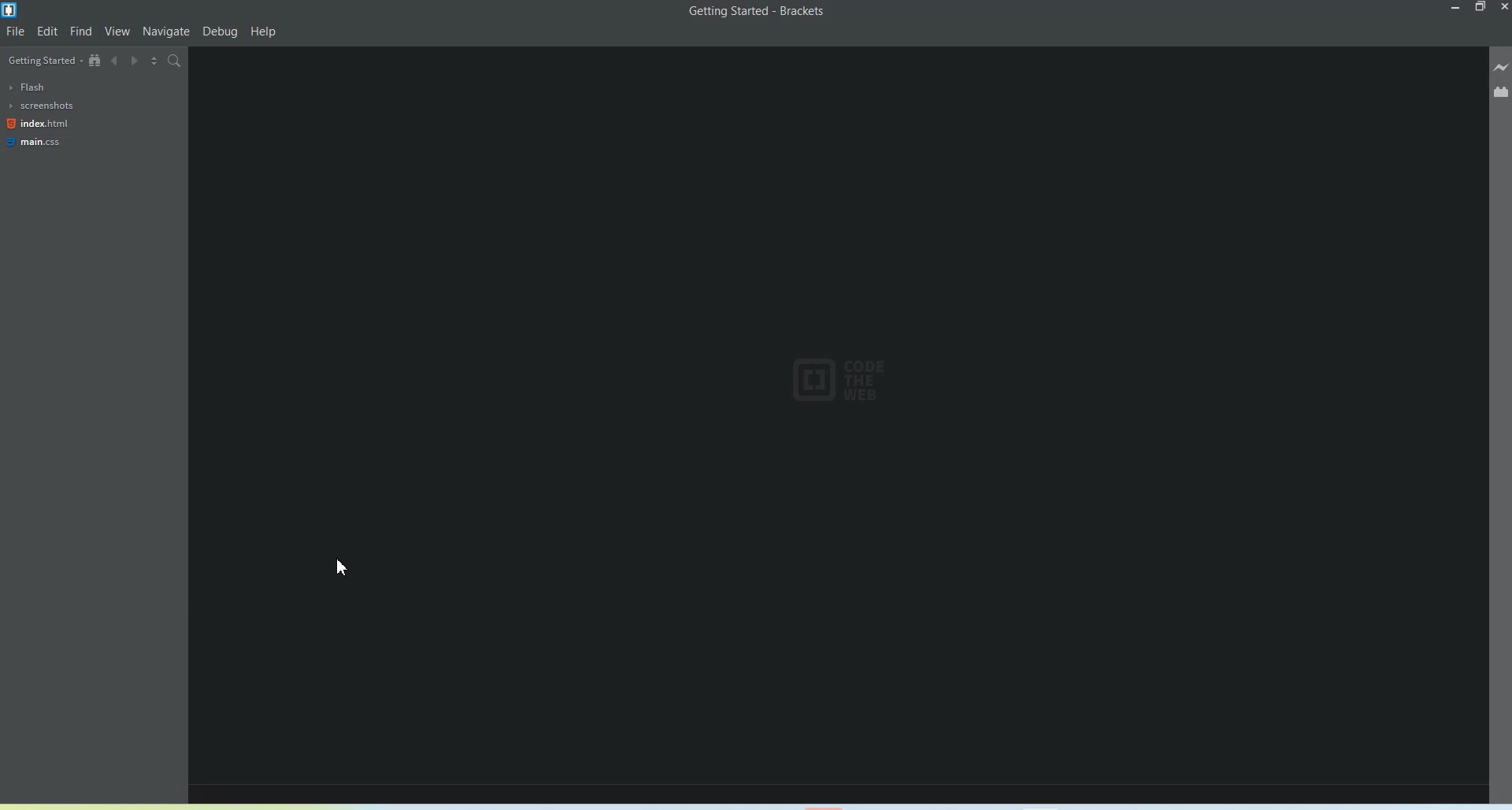 This screenshot has height=810, width=1512. I want to click on Debug, so click(220, 32).